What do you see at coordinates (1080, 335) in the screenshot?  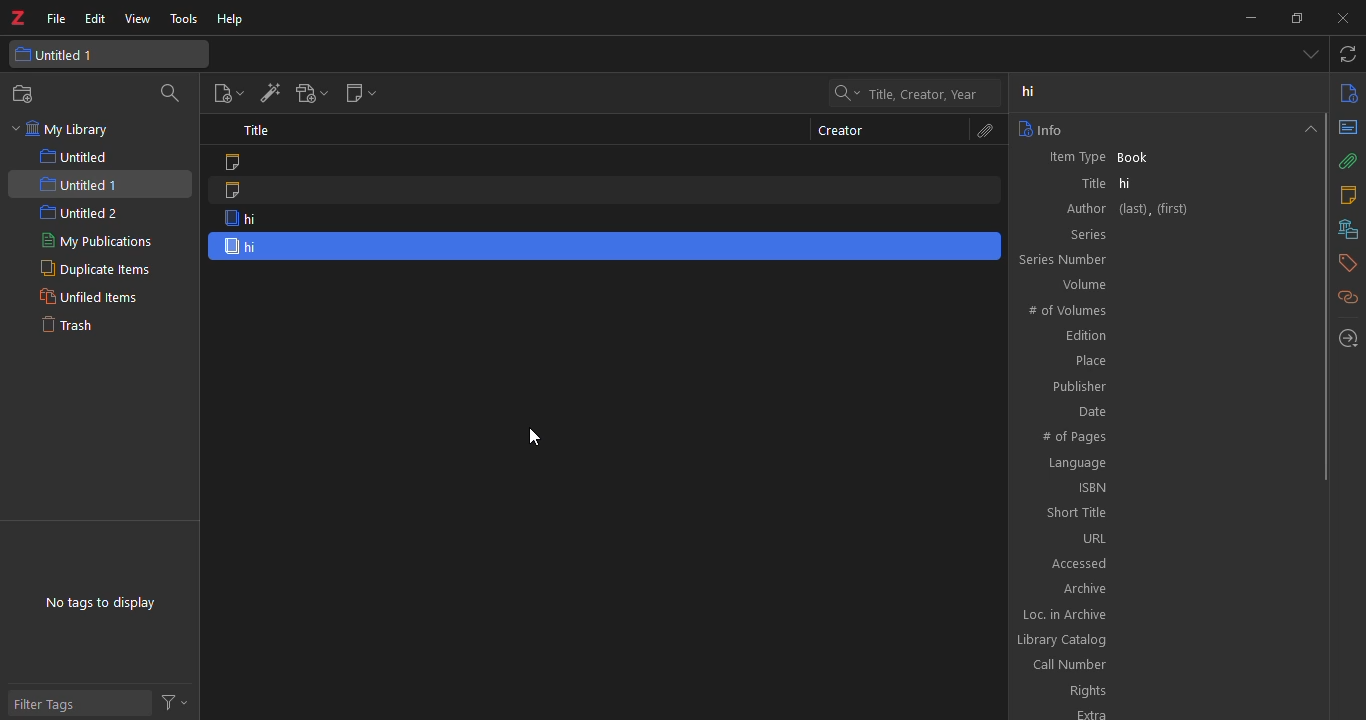 I see `edition` at bounding box center [1080, 335].